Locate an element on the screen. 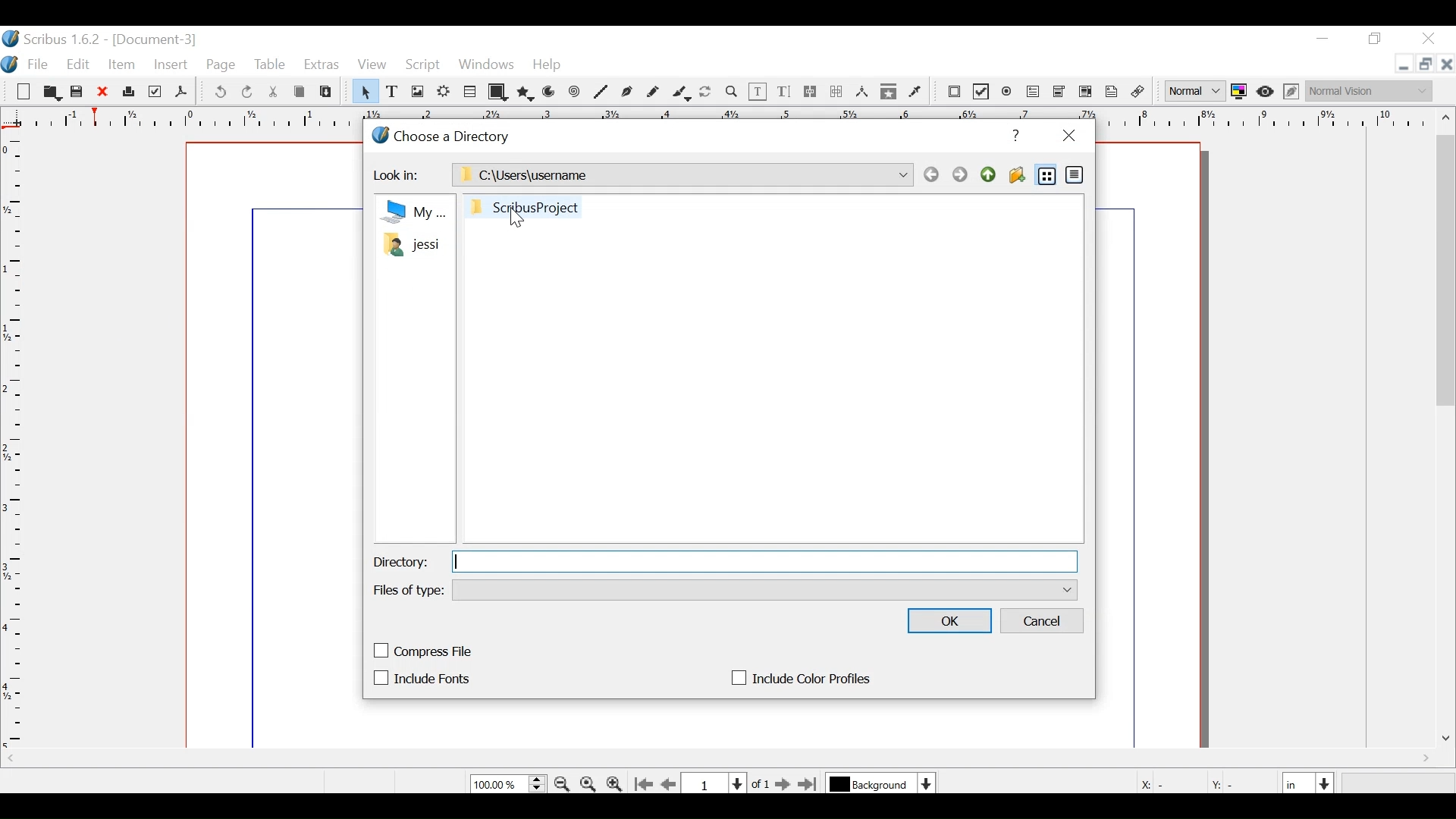 Image resolution: width=1456 pixels, height=819 pixels. Create Folder is located at coordinates (1017, 174).